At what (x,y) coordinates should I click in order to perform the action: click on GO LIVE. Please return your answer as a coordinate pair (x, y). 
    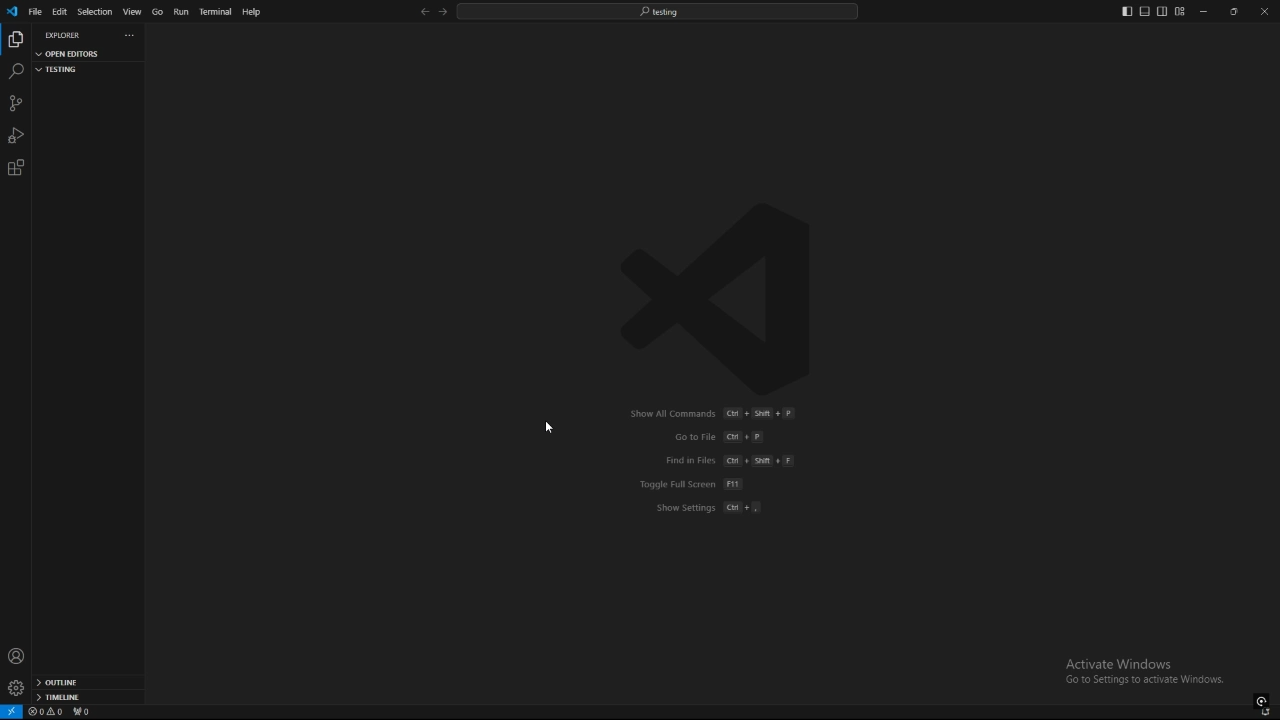
    Looking at the image, I should click on (1262, 700).